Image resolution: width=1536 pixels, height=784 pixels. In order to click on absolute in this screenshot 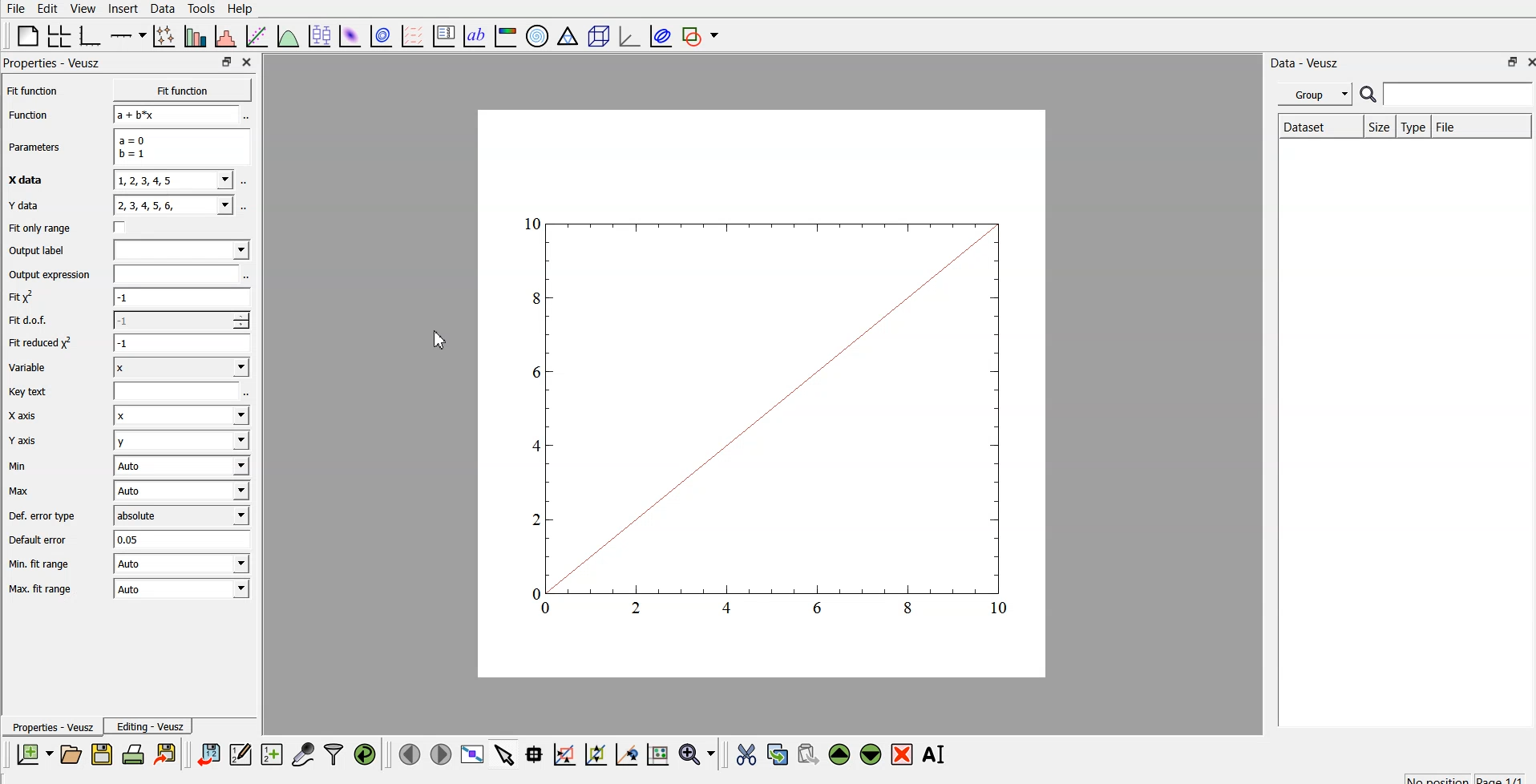, I will do `click(182, 517)`.